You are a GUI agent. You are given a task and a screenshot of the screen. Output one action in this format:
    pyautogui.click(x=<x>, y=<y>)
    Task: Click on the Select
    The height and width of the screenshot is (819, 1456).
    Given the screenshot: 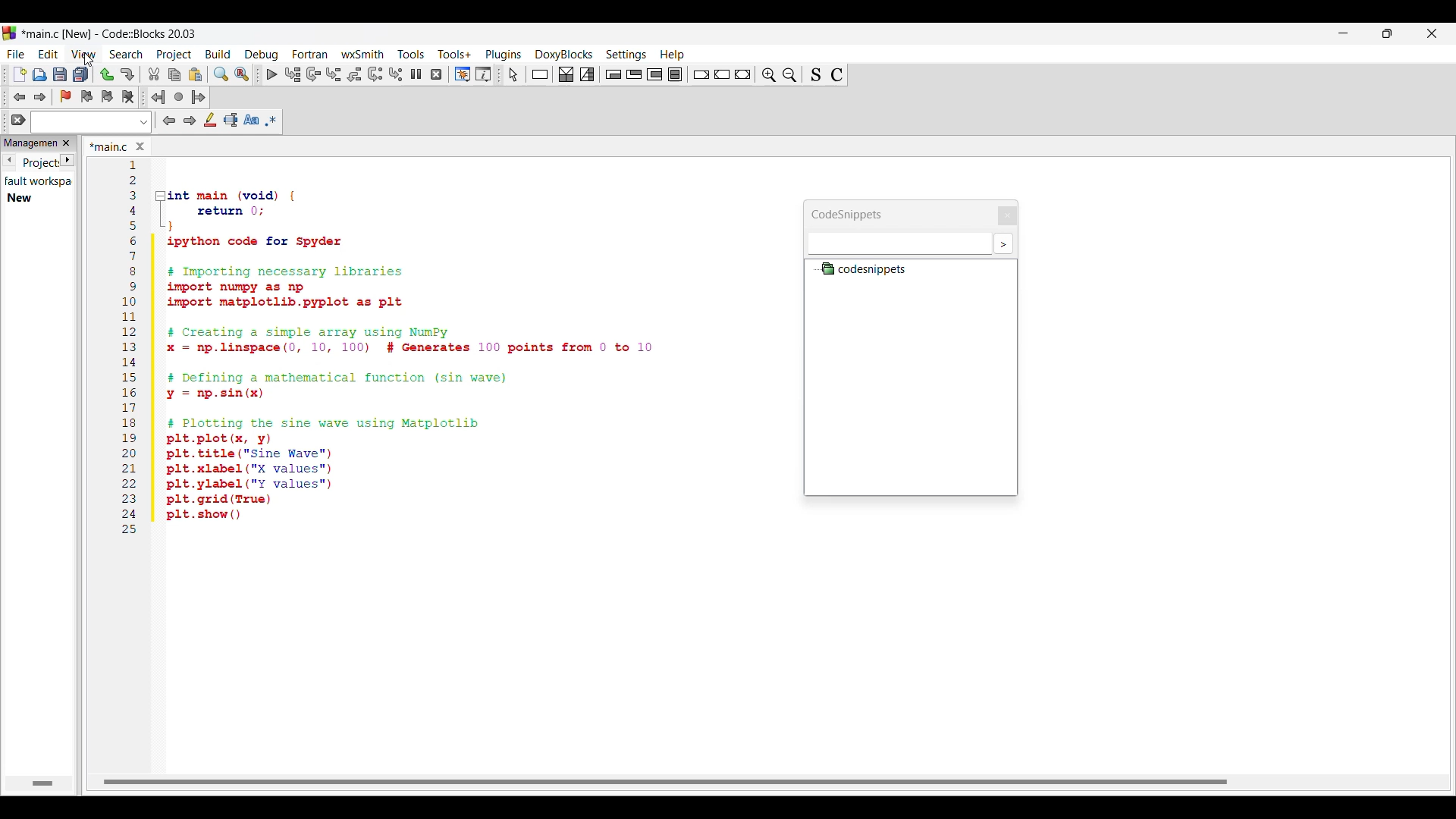 What is the action you would take?
    pyautogui.click(x=513, y=74)
    